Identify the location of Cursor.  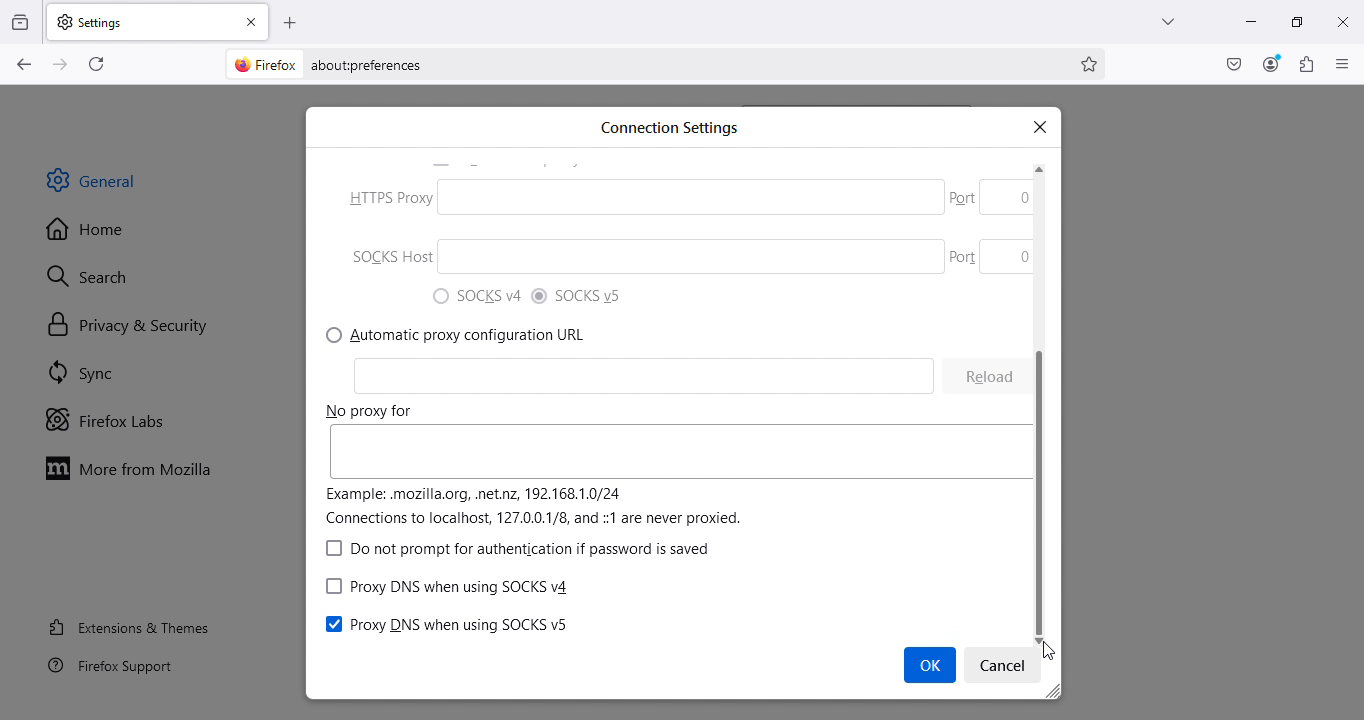
(928, 665).